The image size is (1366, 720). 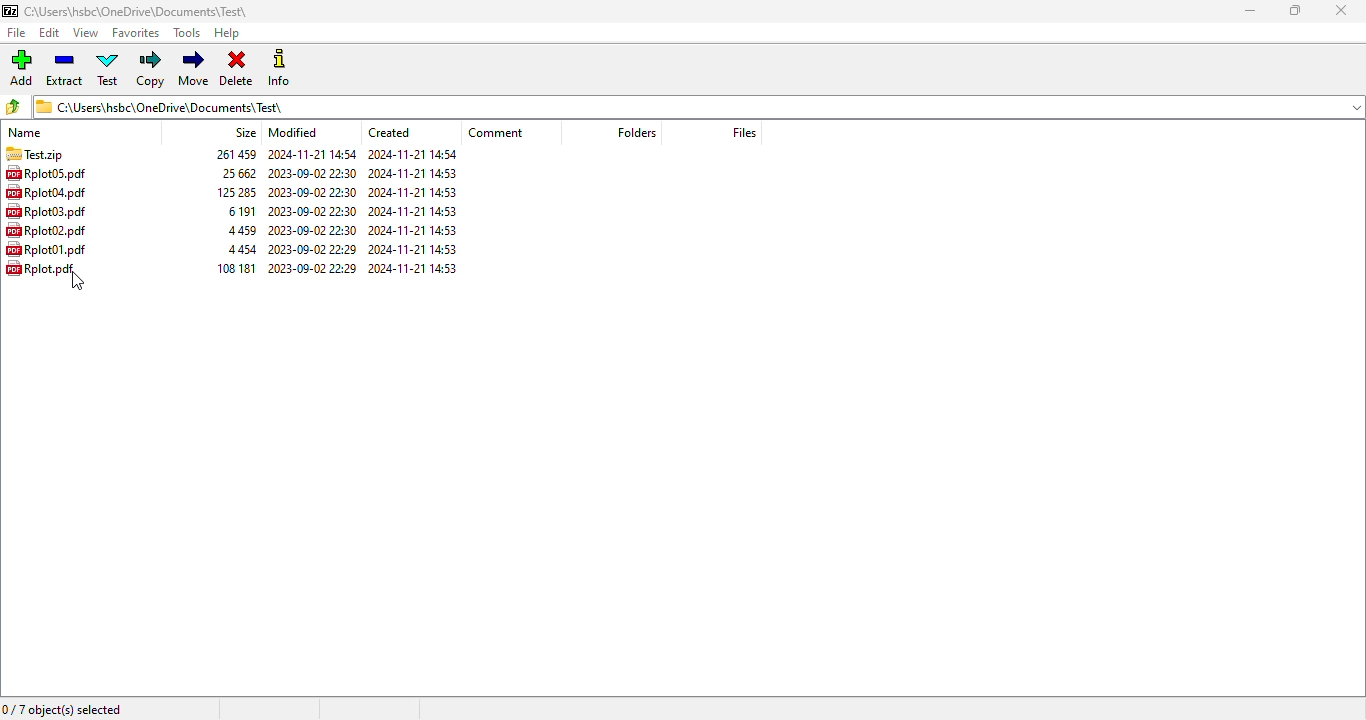 What do you see at coordinates (312, 269) in the screenshot?
I see `2023-00-02 22:29` at bounding box center [312, 269].